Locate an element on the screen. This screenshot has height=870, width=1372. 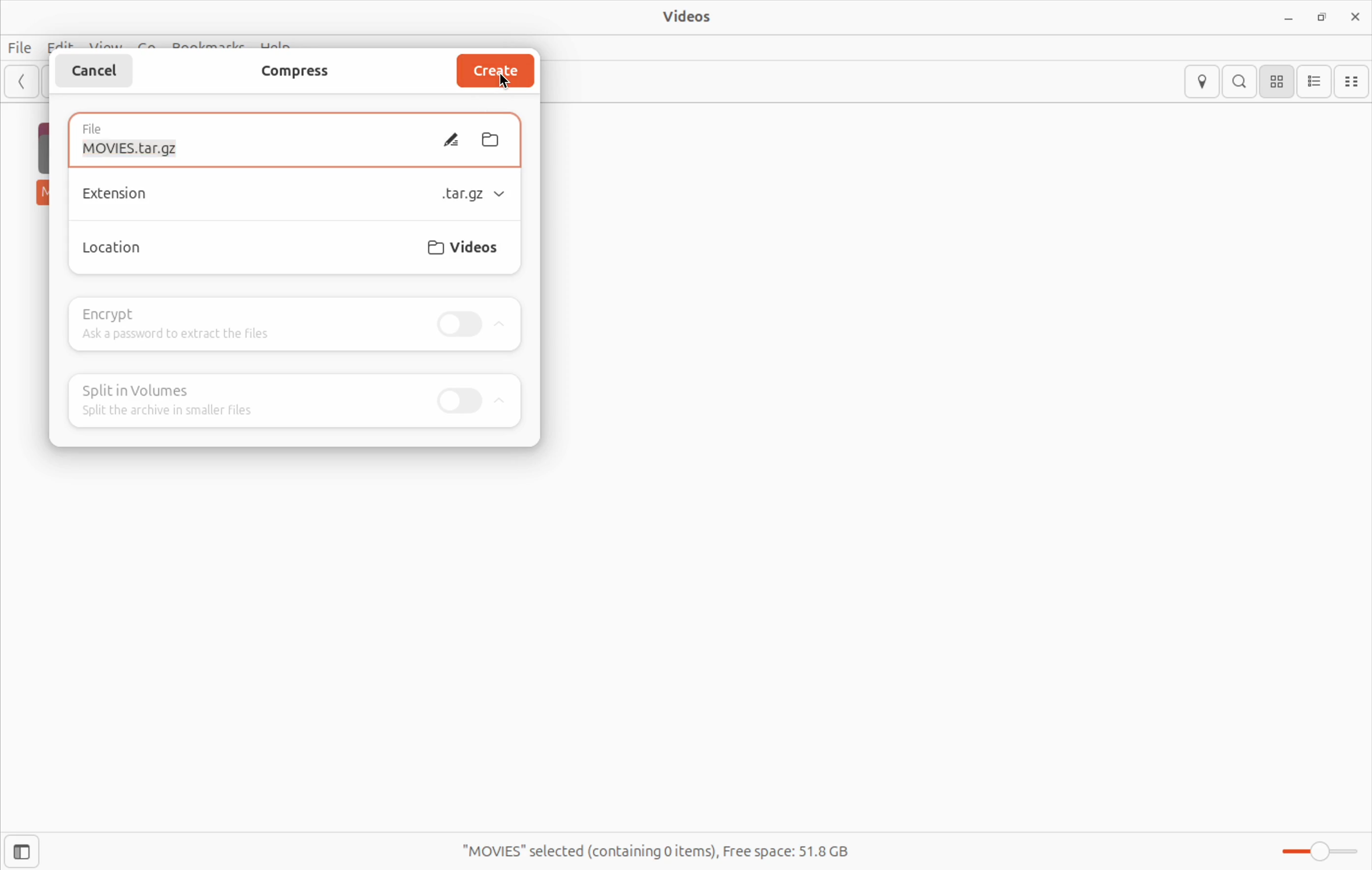
videos is located at coordinates (463, 248).